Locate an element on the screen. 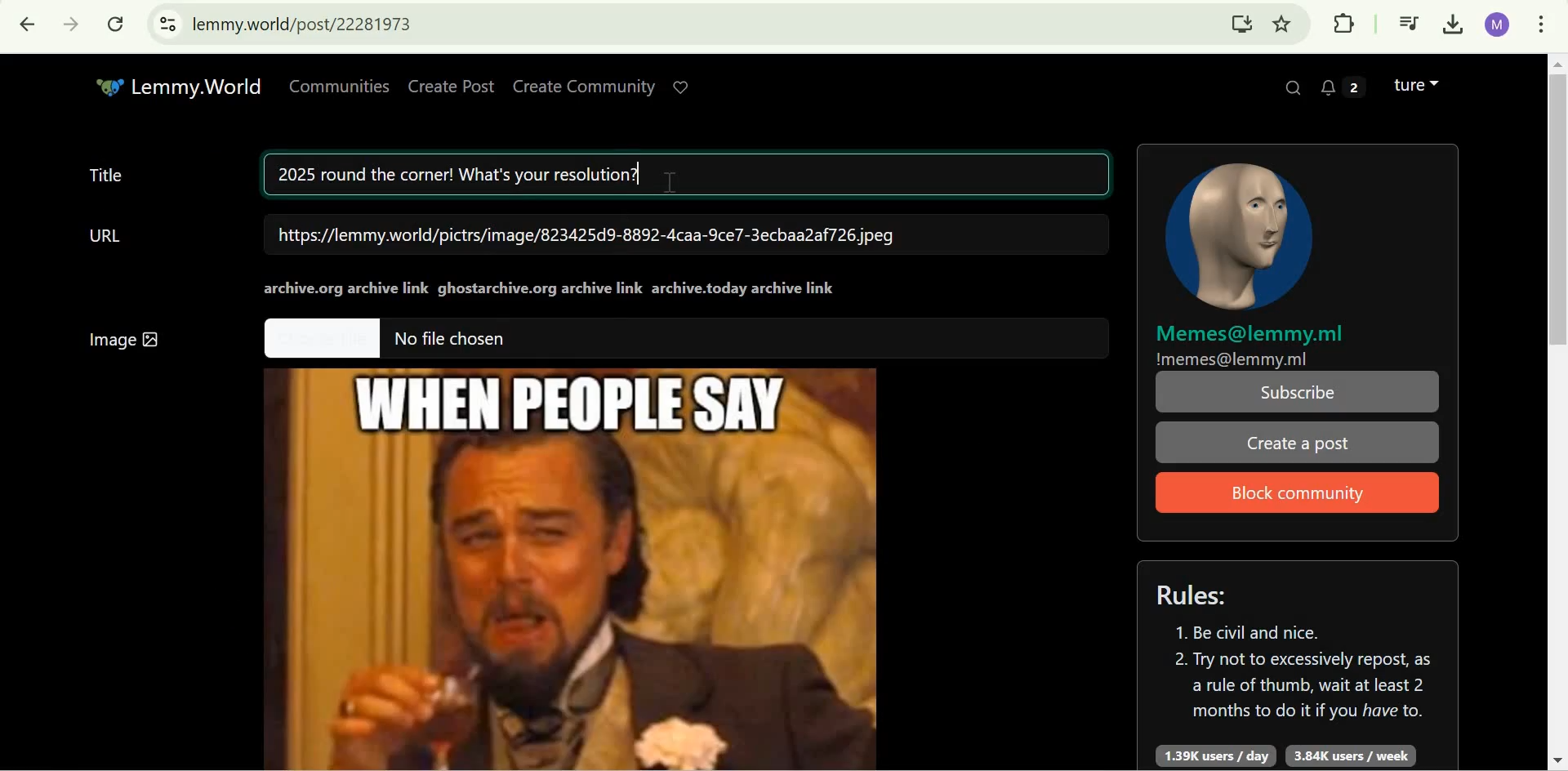 This screenshot has width=1568, height=771. Control your music, videos, and more is located at coordinates (1410, 25).